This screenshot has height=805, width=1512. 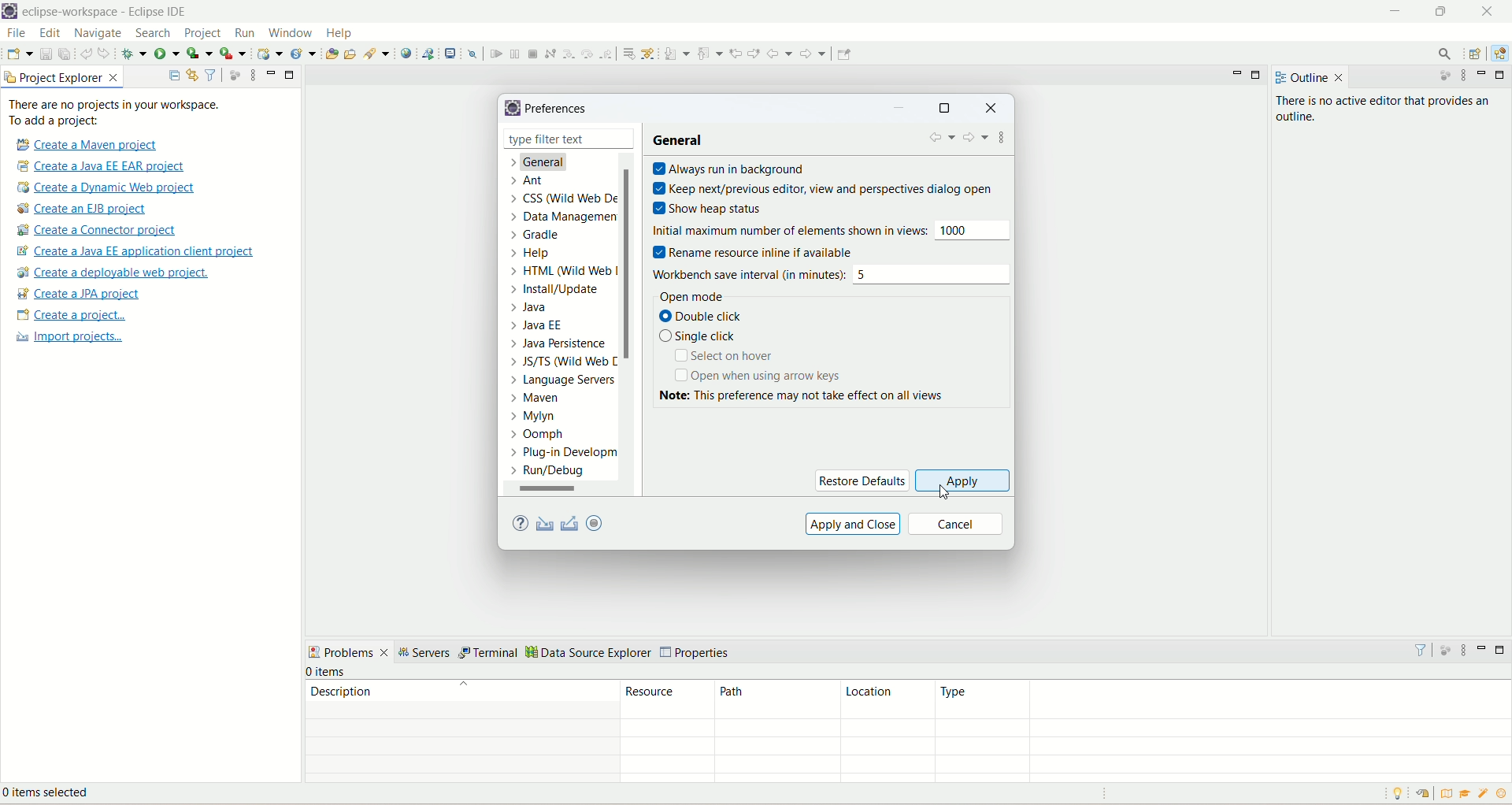 I want to click on apply and close, so click(x=854, y=523).